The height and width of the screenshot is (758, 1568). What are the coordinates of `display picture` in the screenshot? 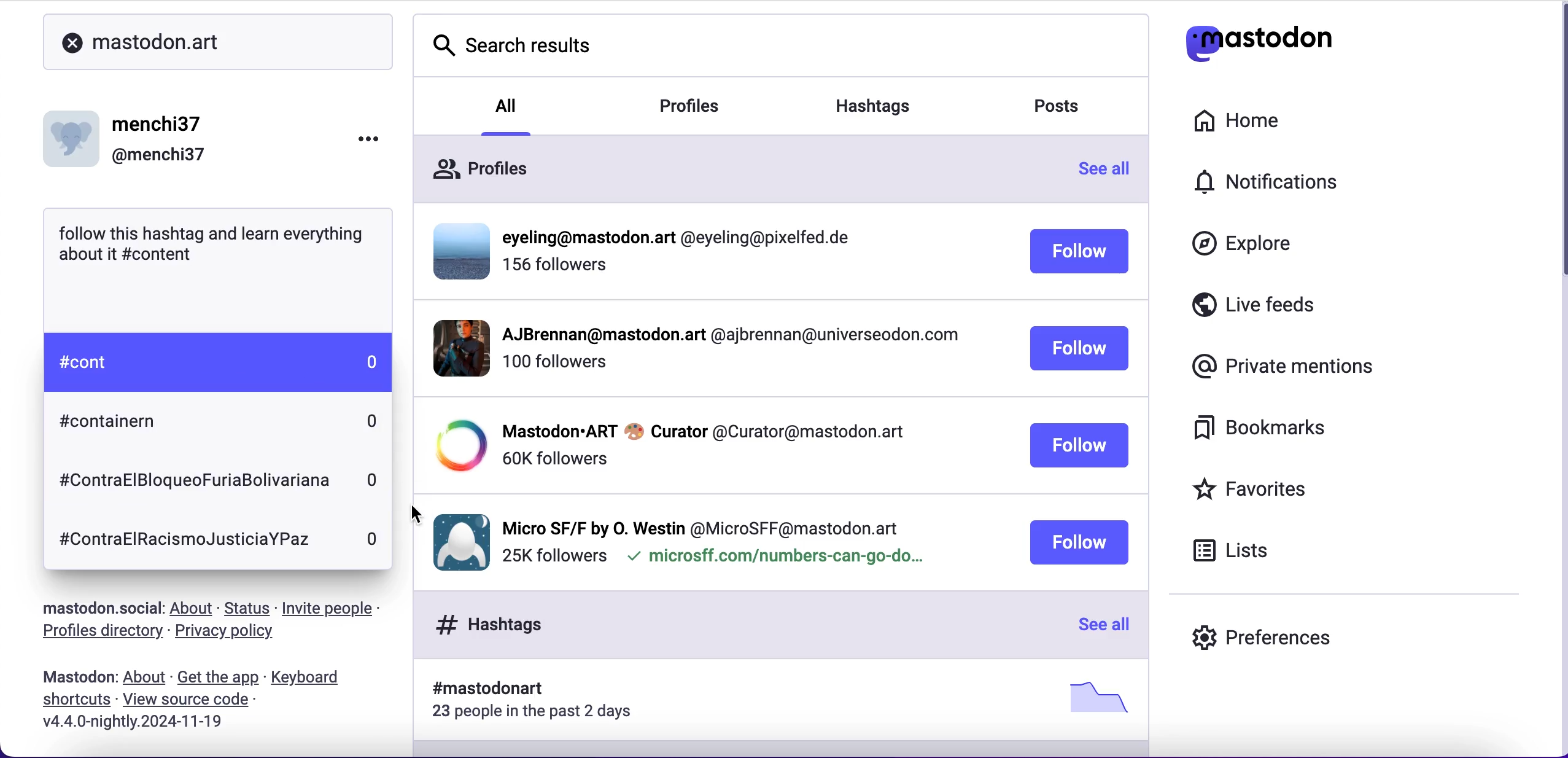 It's located at (456, 446).